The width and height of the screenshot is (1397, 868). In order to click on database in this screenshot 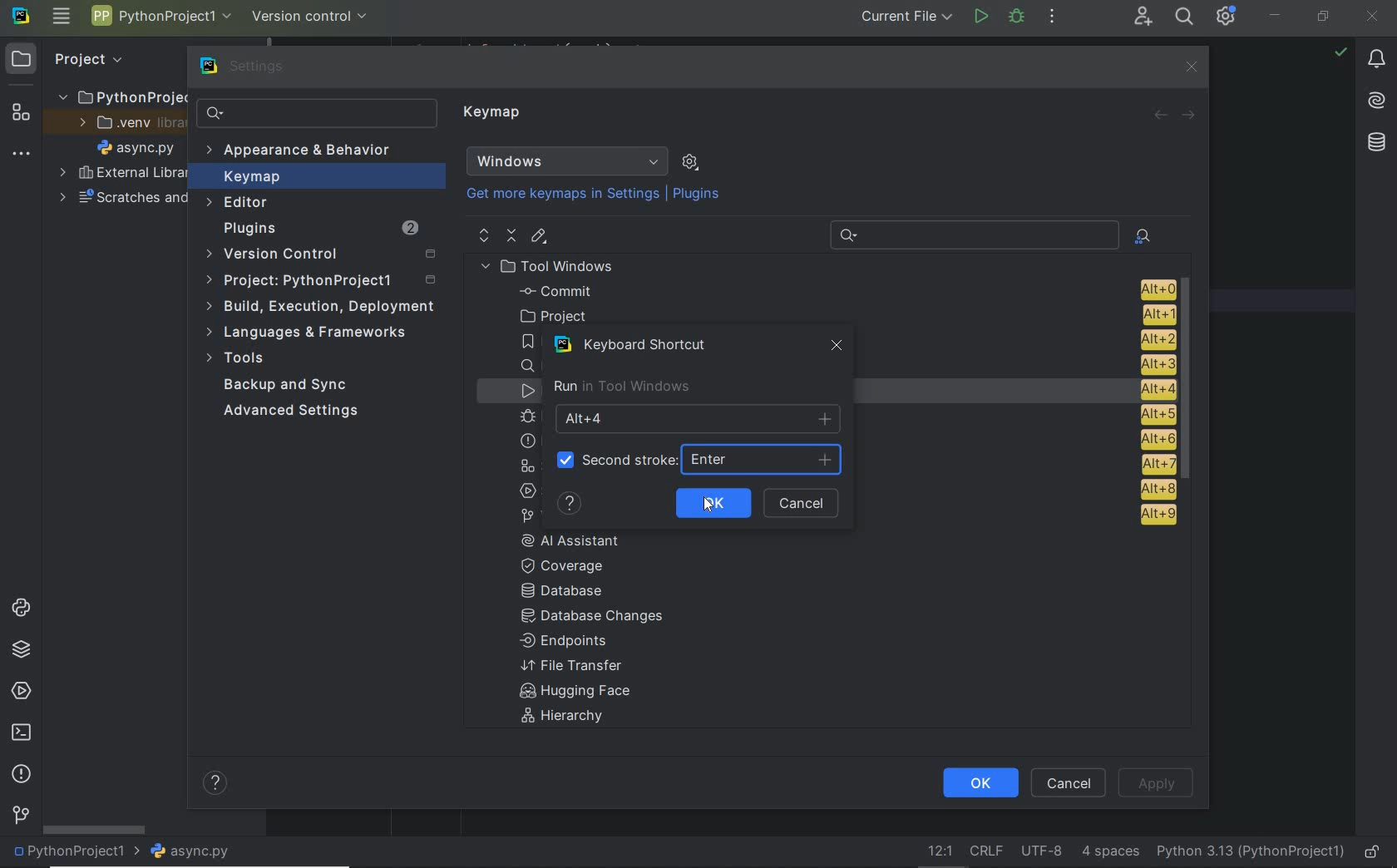, I will do `click(1375, 142)`.